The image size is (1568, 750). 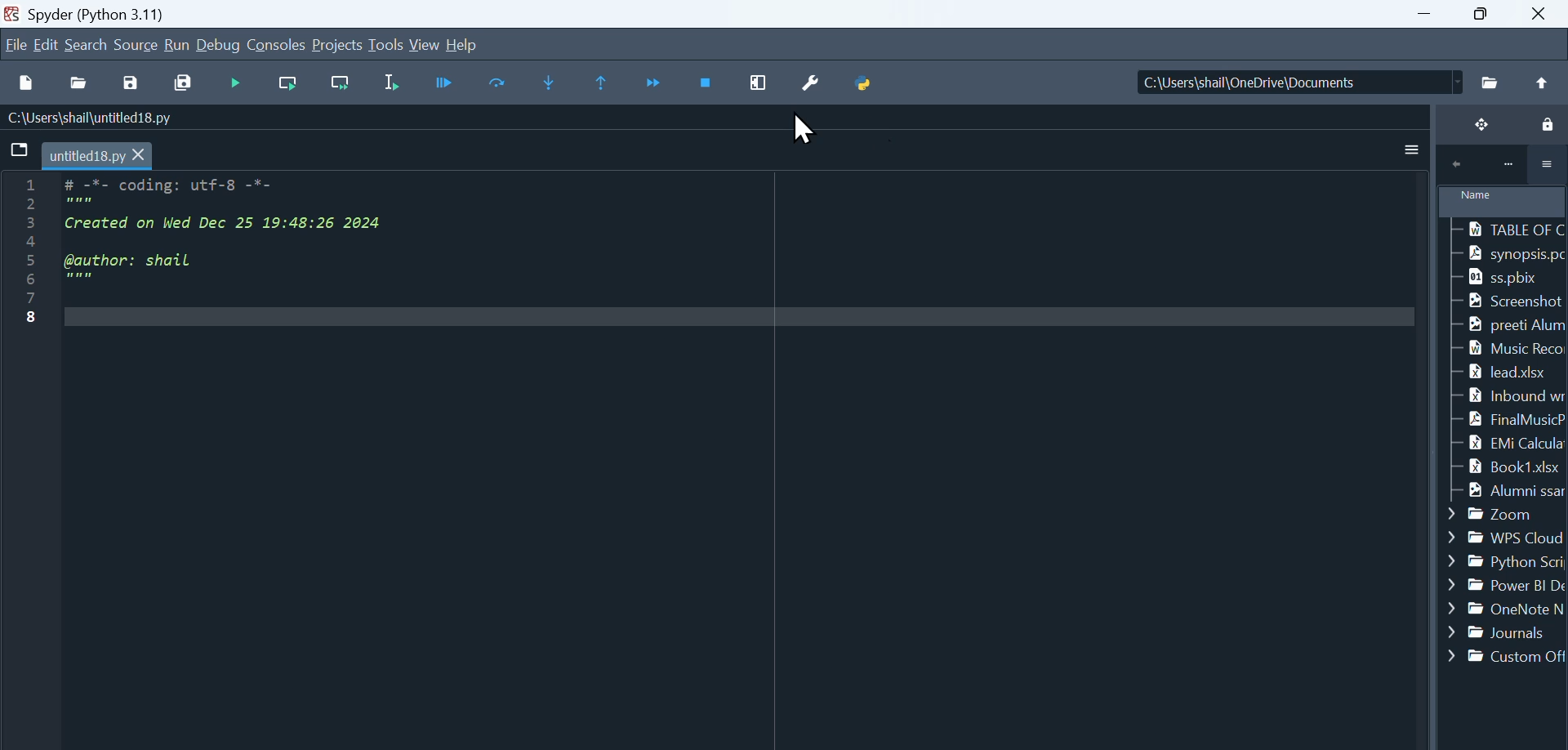 What do you see at coordinates (1508, 491) in the screenshot?
I see `Alumni ss..` at bounding box center [1508, 491].